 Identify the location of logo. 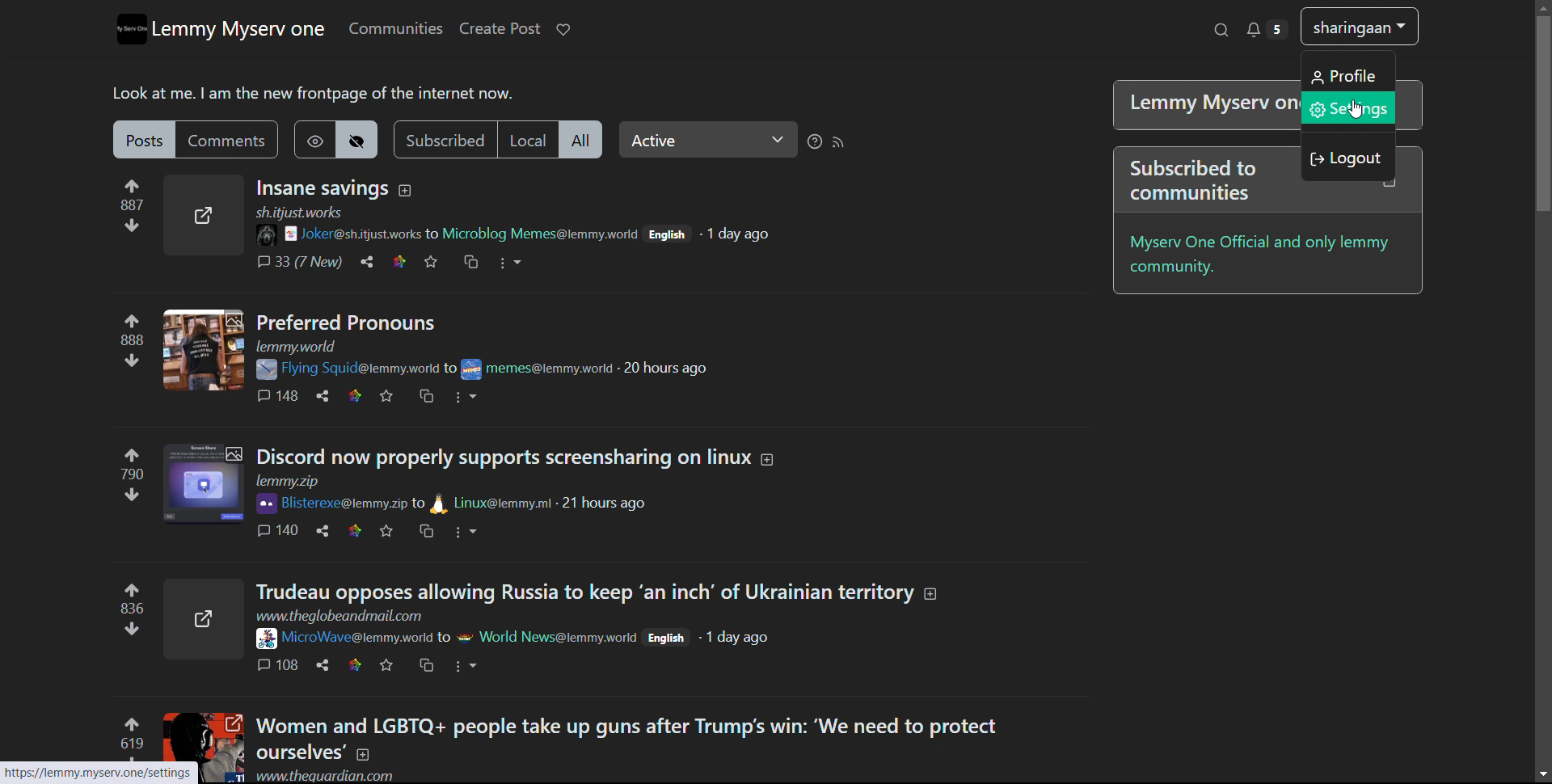
(129, 29).